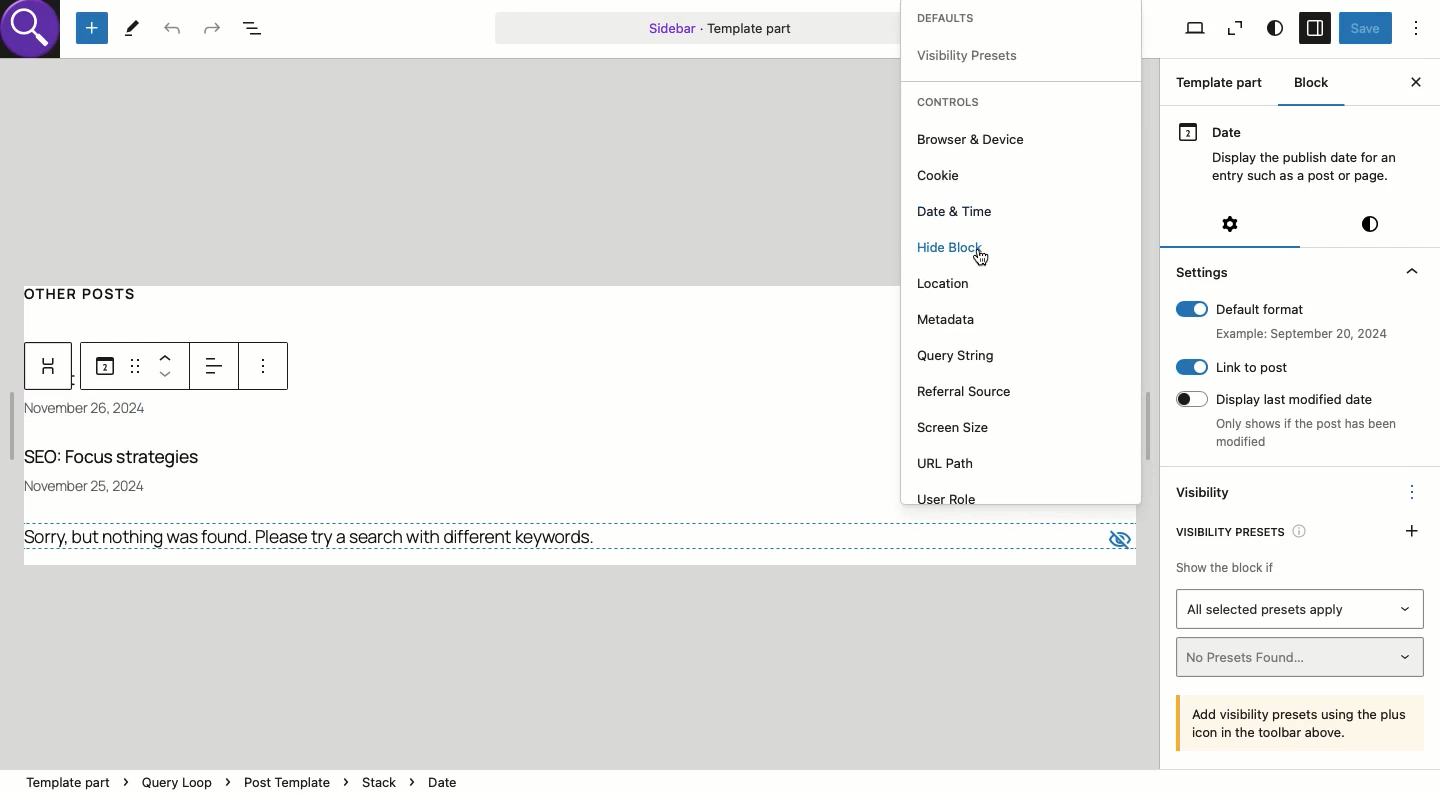  What do you see at coordinates (990, 256) in the screenshot?
I see `cursor` at bounding box center [990, 256].